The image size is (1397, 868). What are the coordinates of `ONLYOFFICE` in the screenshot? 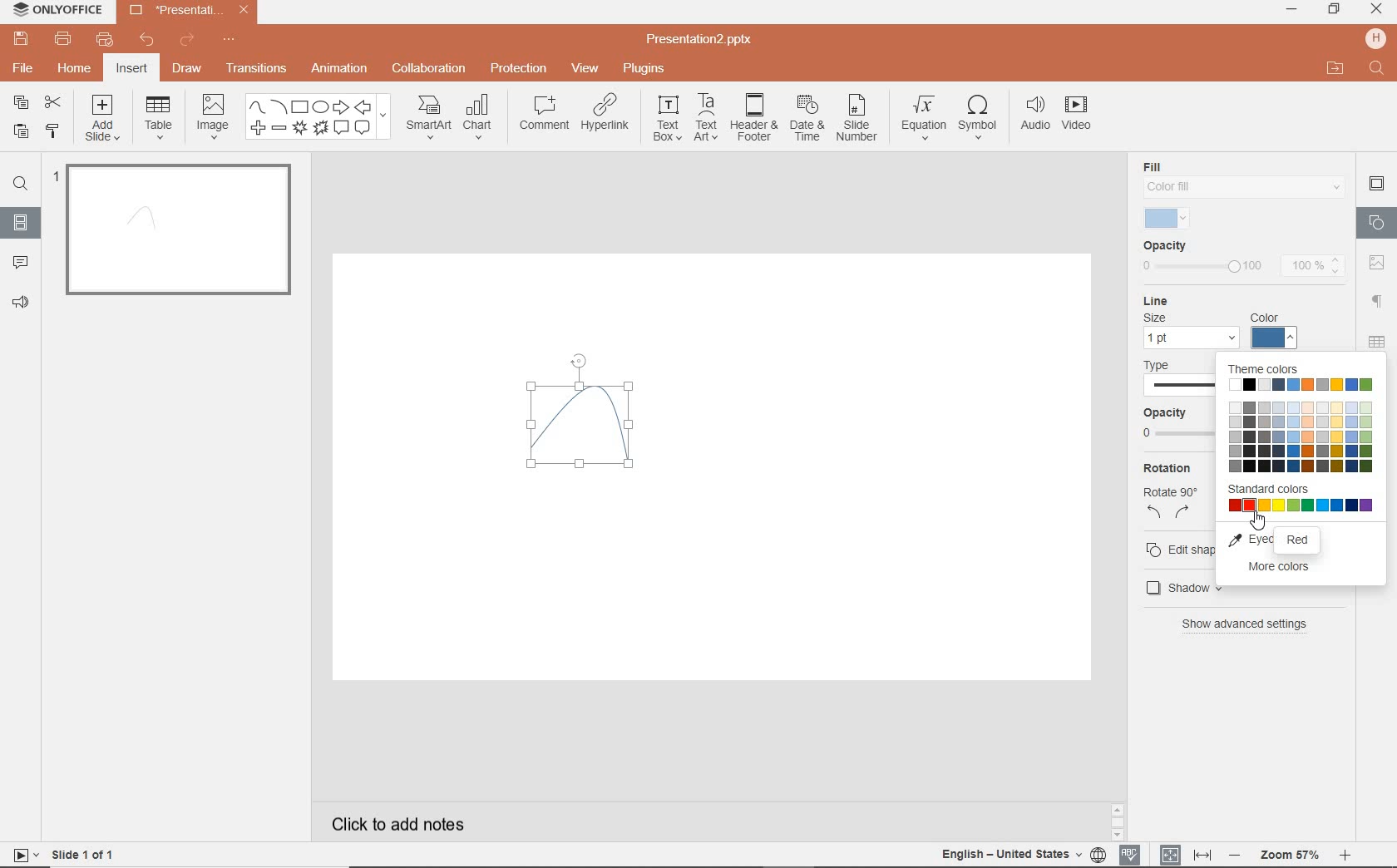 It's located at (58, 11).